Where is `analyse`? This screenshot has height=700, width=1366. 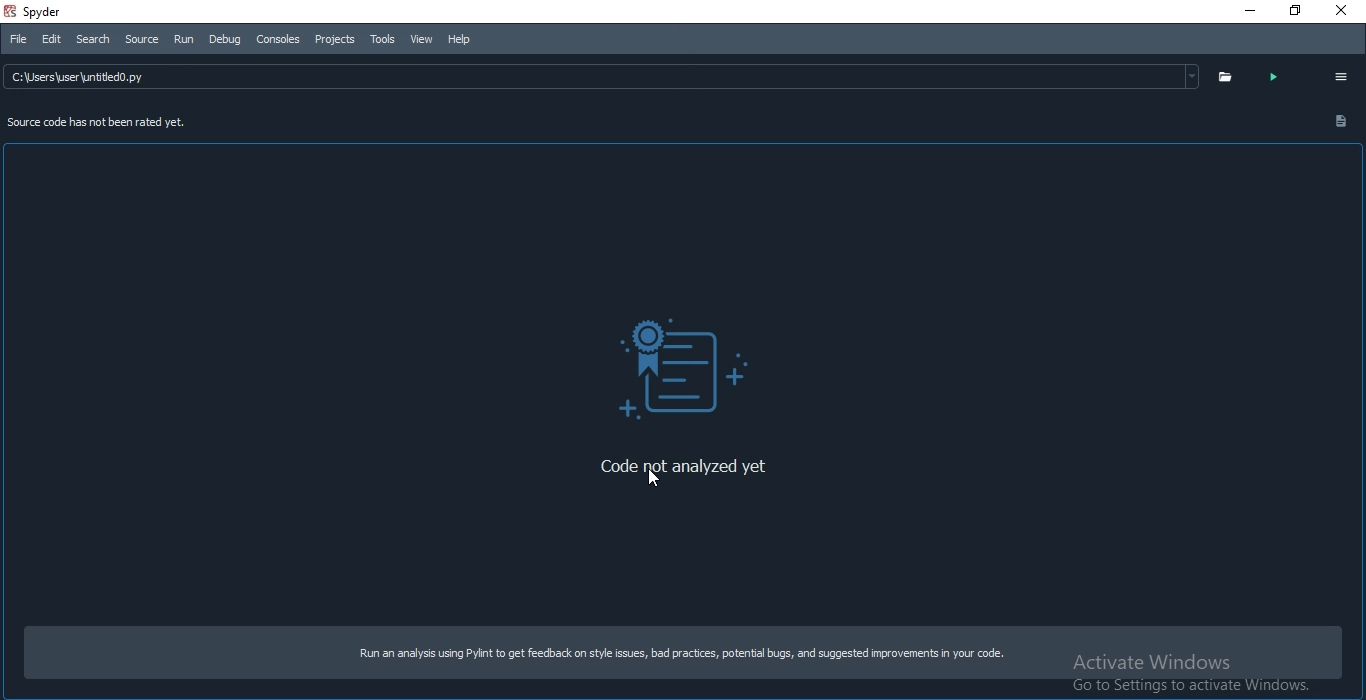
analyse is located at coordinates (1279, 78).